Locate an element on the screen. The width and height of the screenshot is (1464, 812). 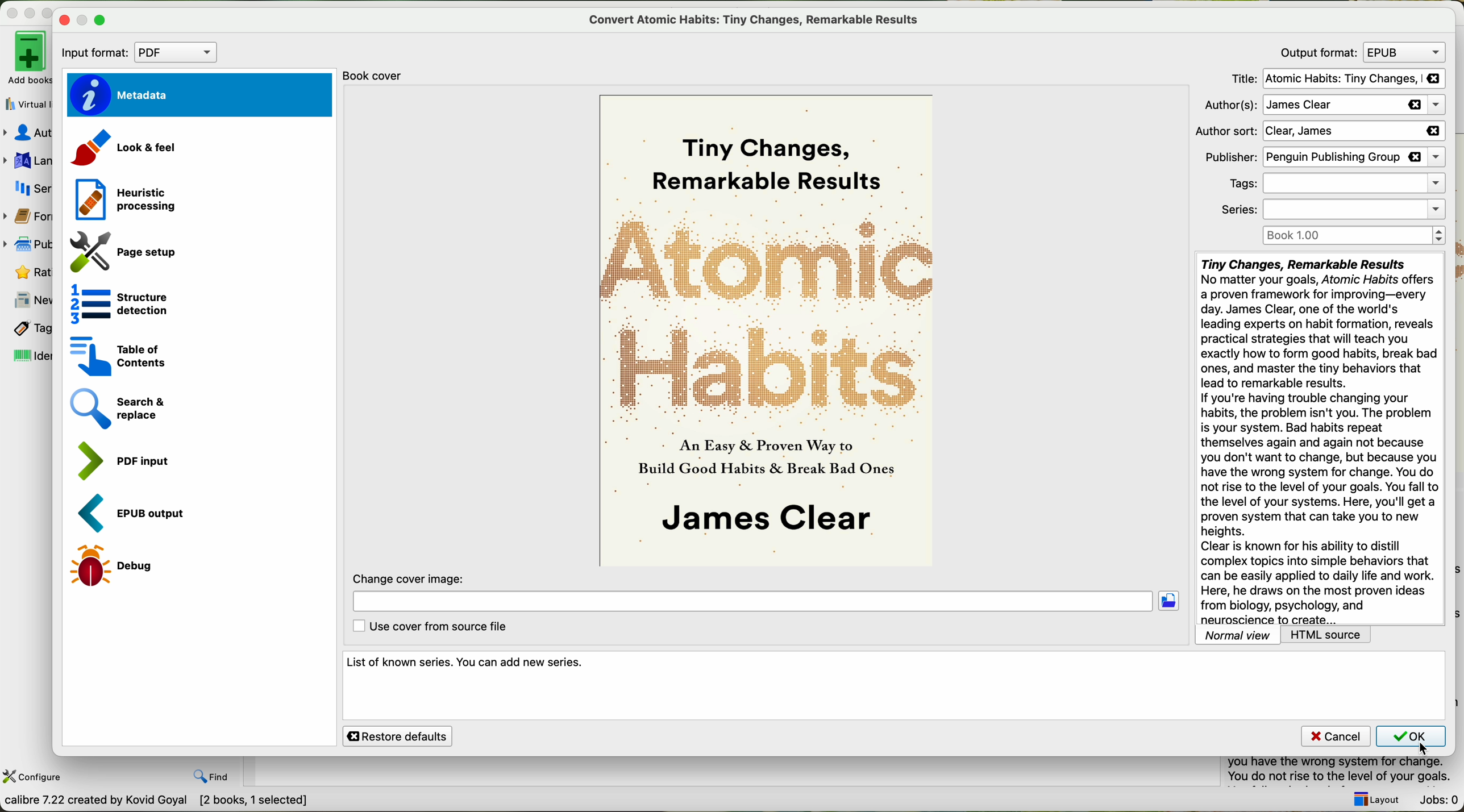
synopsis is located at coordinates (1320, 439).